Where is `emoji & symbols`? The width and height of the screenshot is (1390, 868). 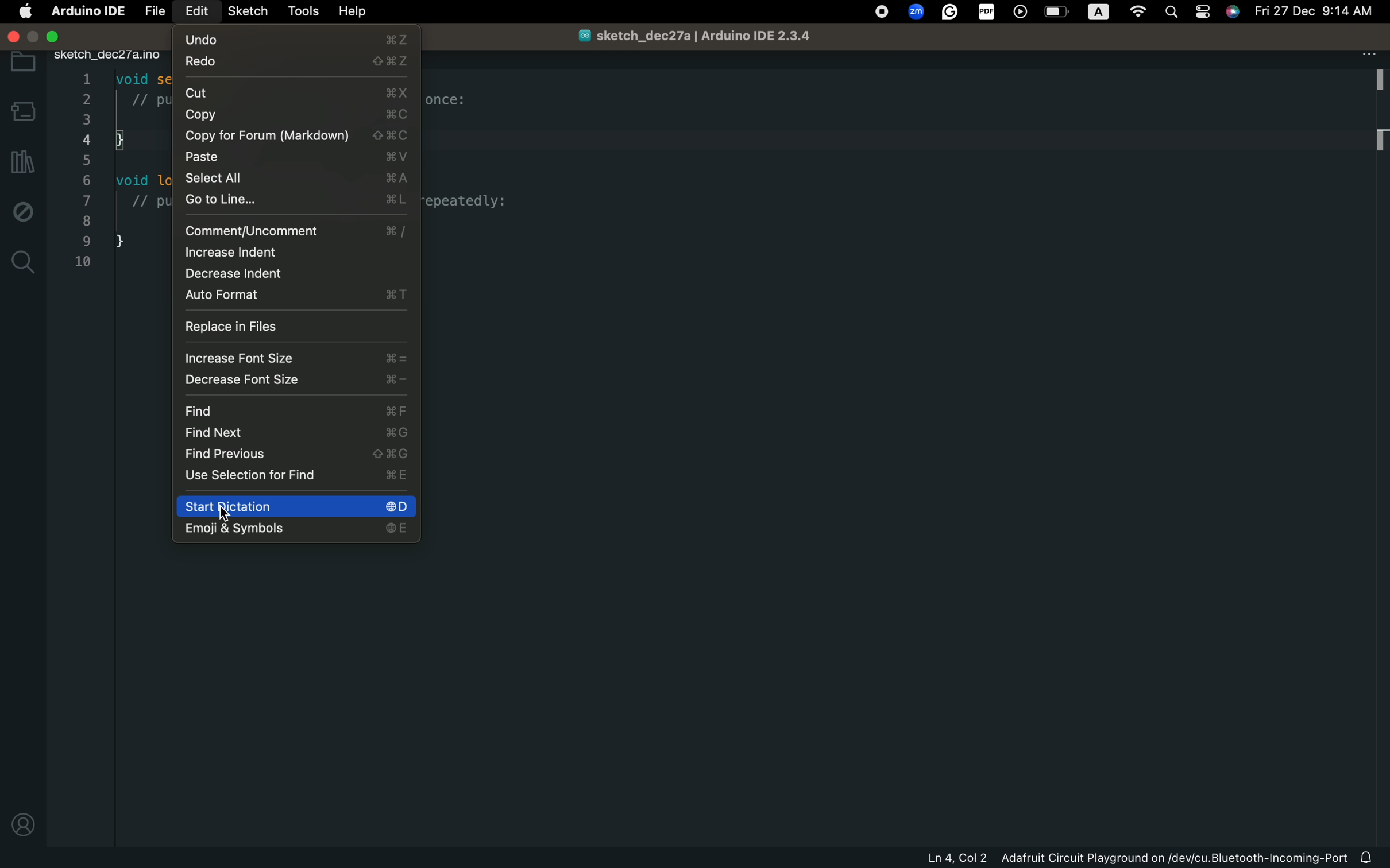
emoji & symbols is located at coordinates (295, 530).